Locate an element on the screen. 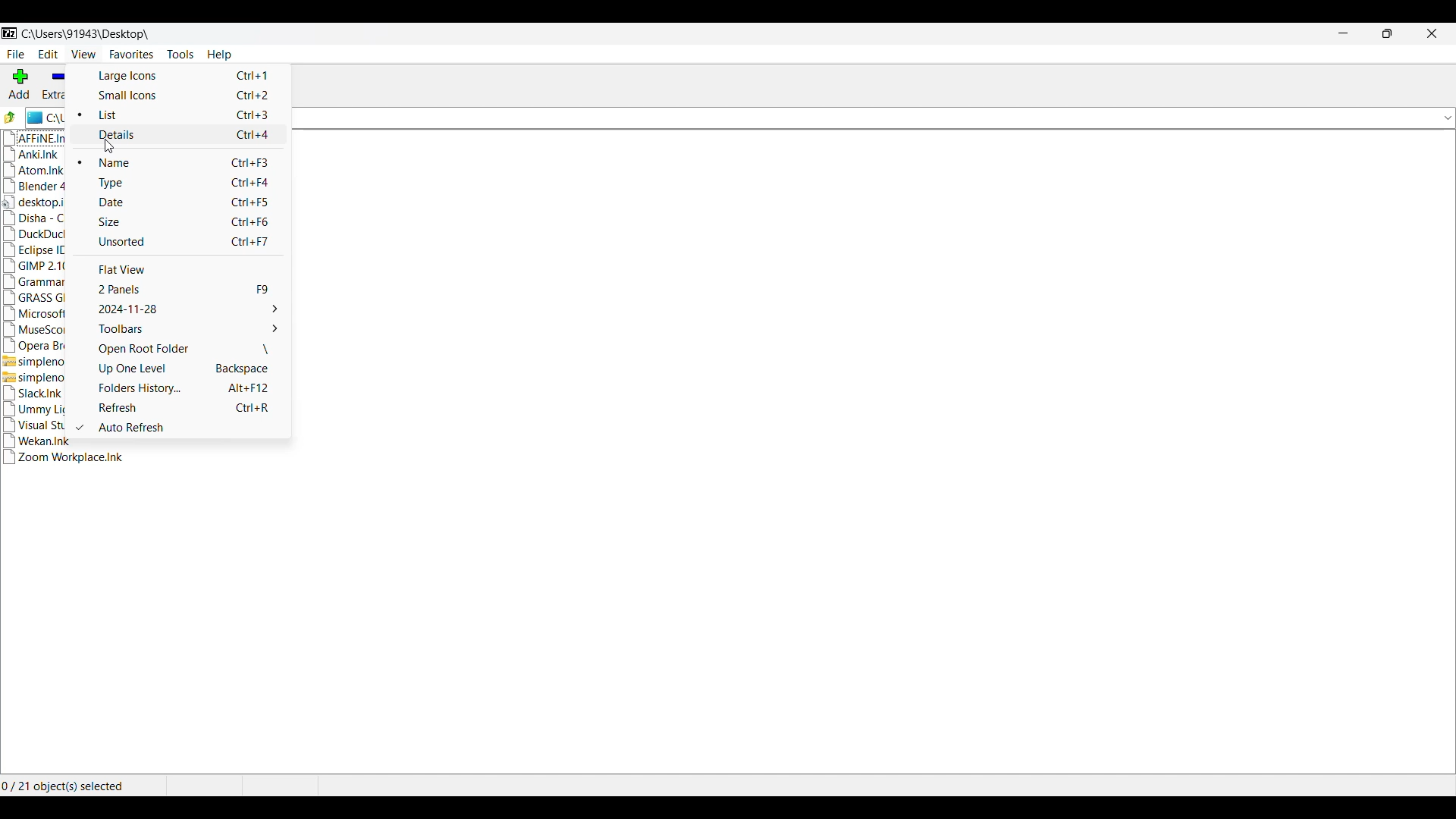 This screenshot has width=1456, height=819. 2024-11-28 options is located at coordinates (189, 309).